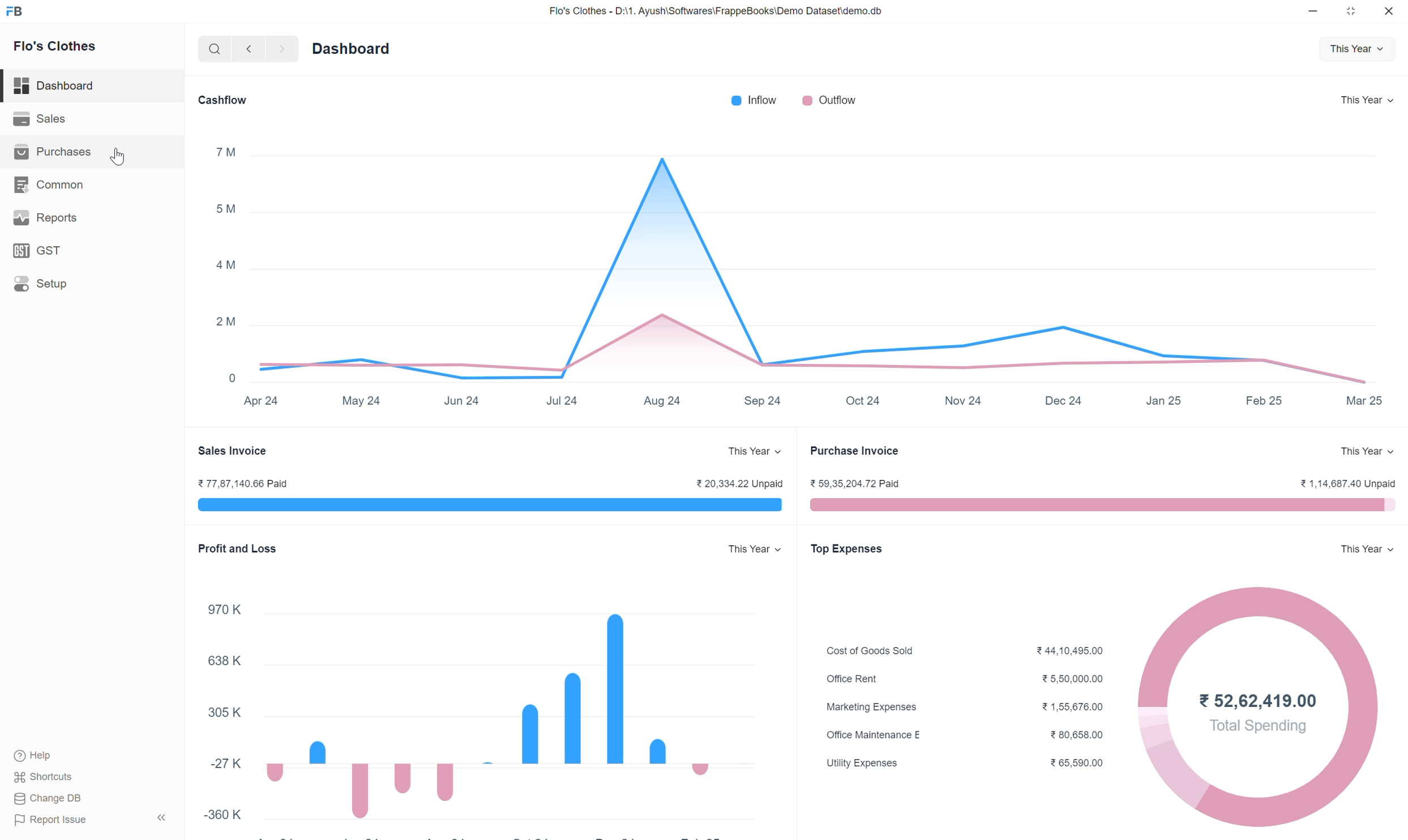 The image size is (1408, 840). I want to click on 52,62,419.00 Total Spending, so click(1259, 714).